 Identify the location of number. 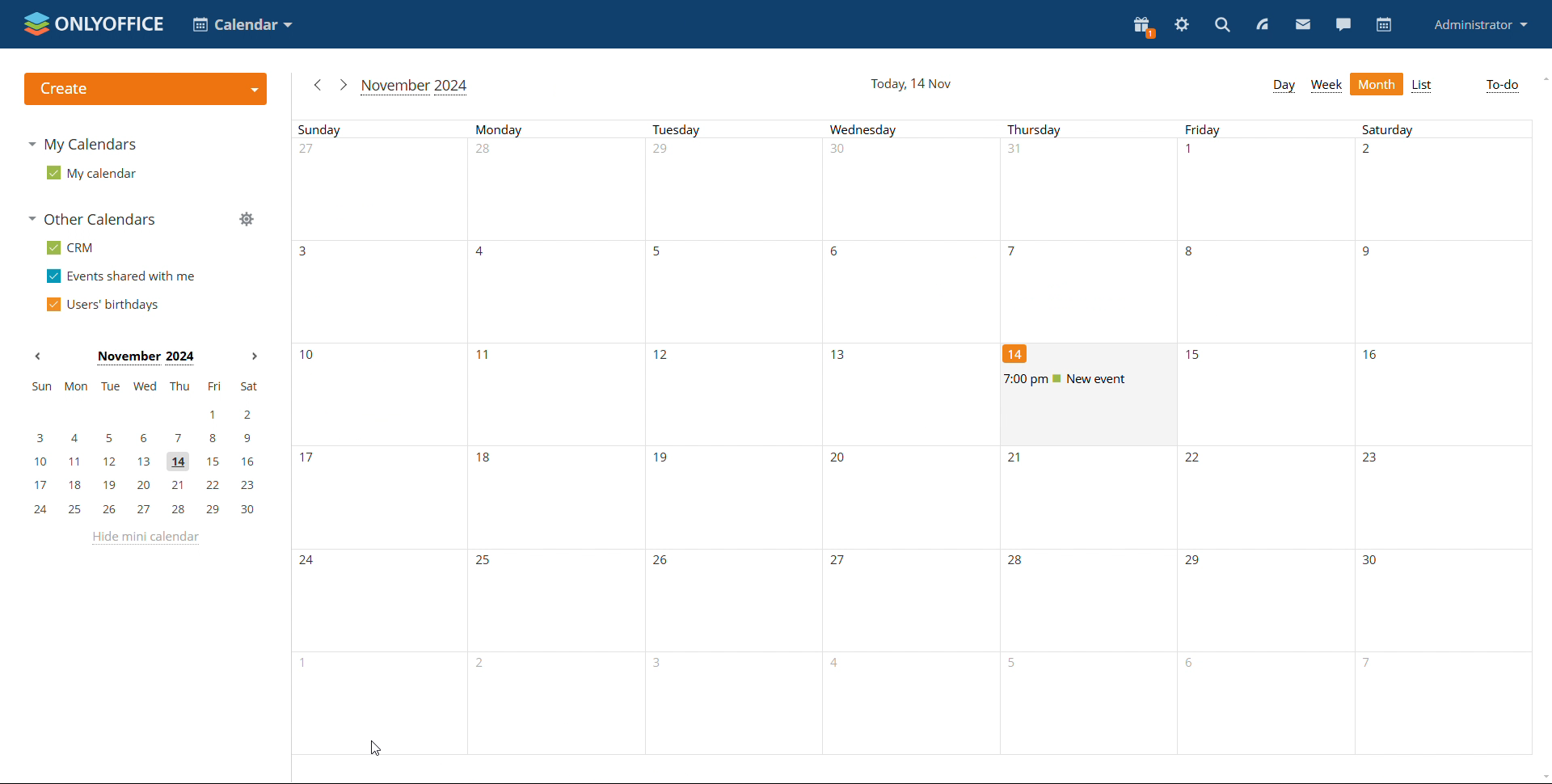
(843, 355).